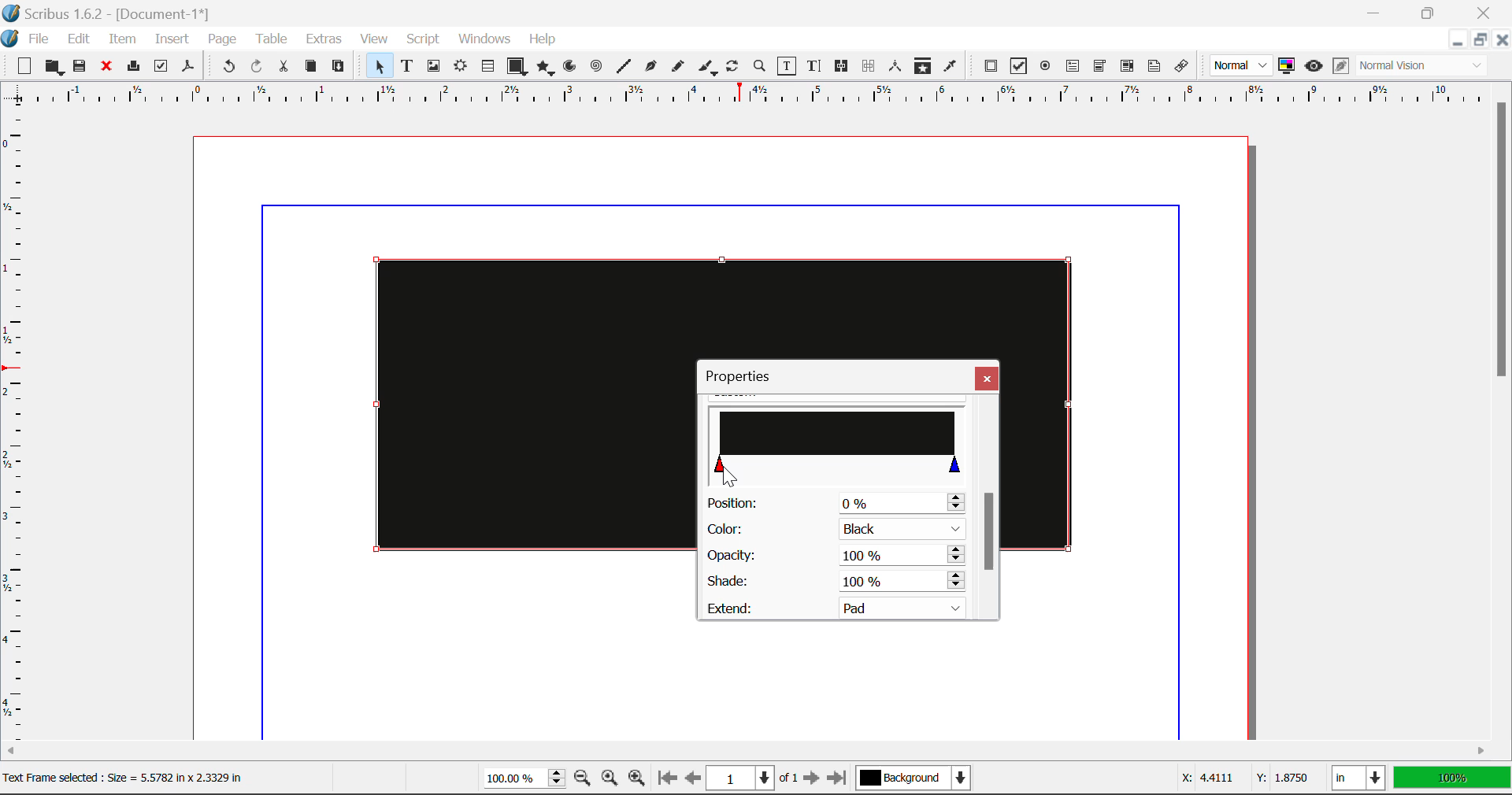  I want to click on Minimize, so click(1429, 11).